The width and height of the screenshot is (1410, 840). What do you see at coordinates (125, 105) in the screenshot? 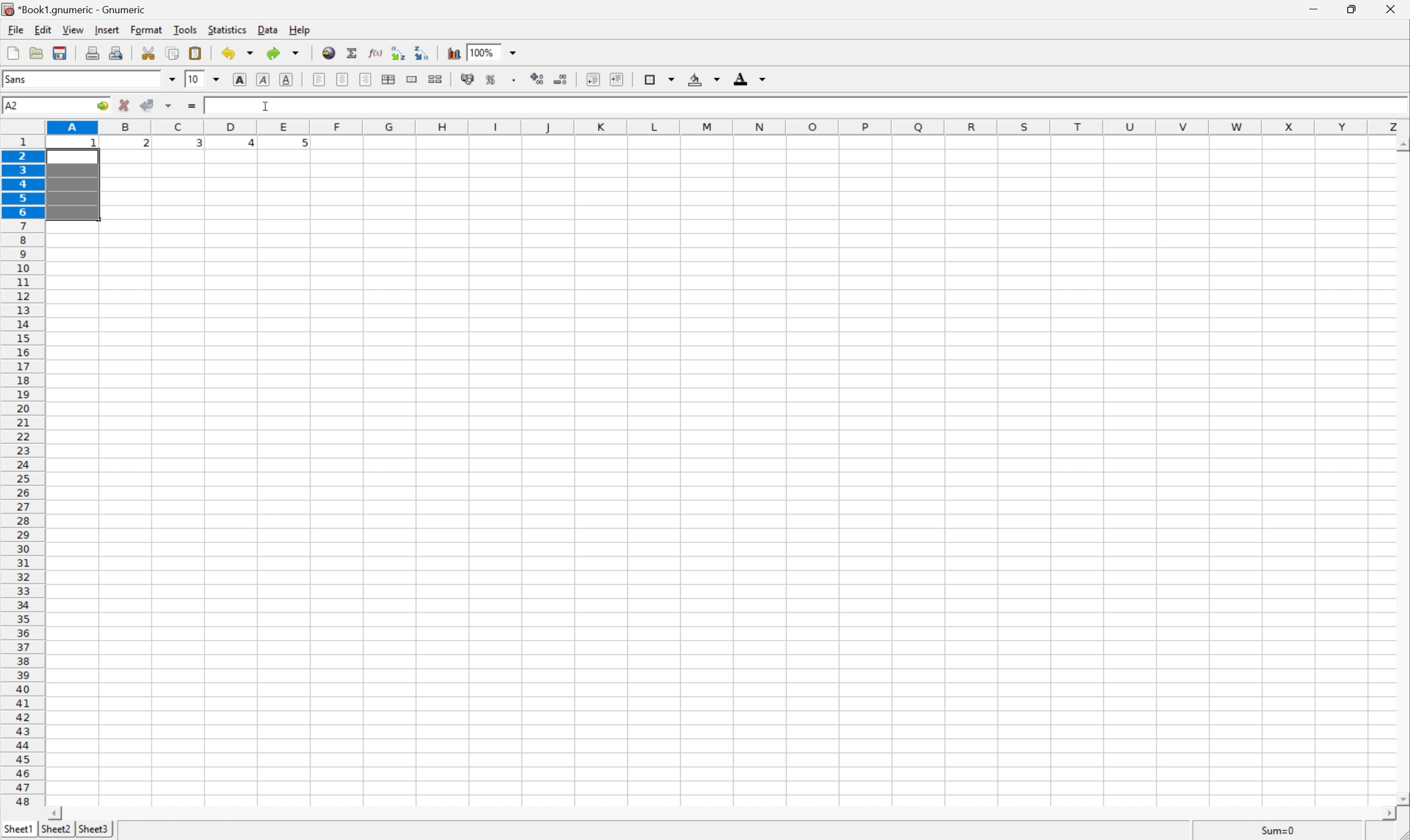
I see `cancel change` at bounding box center [125, 105].